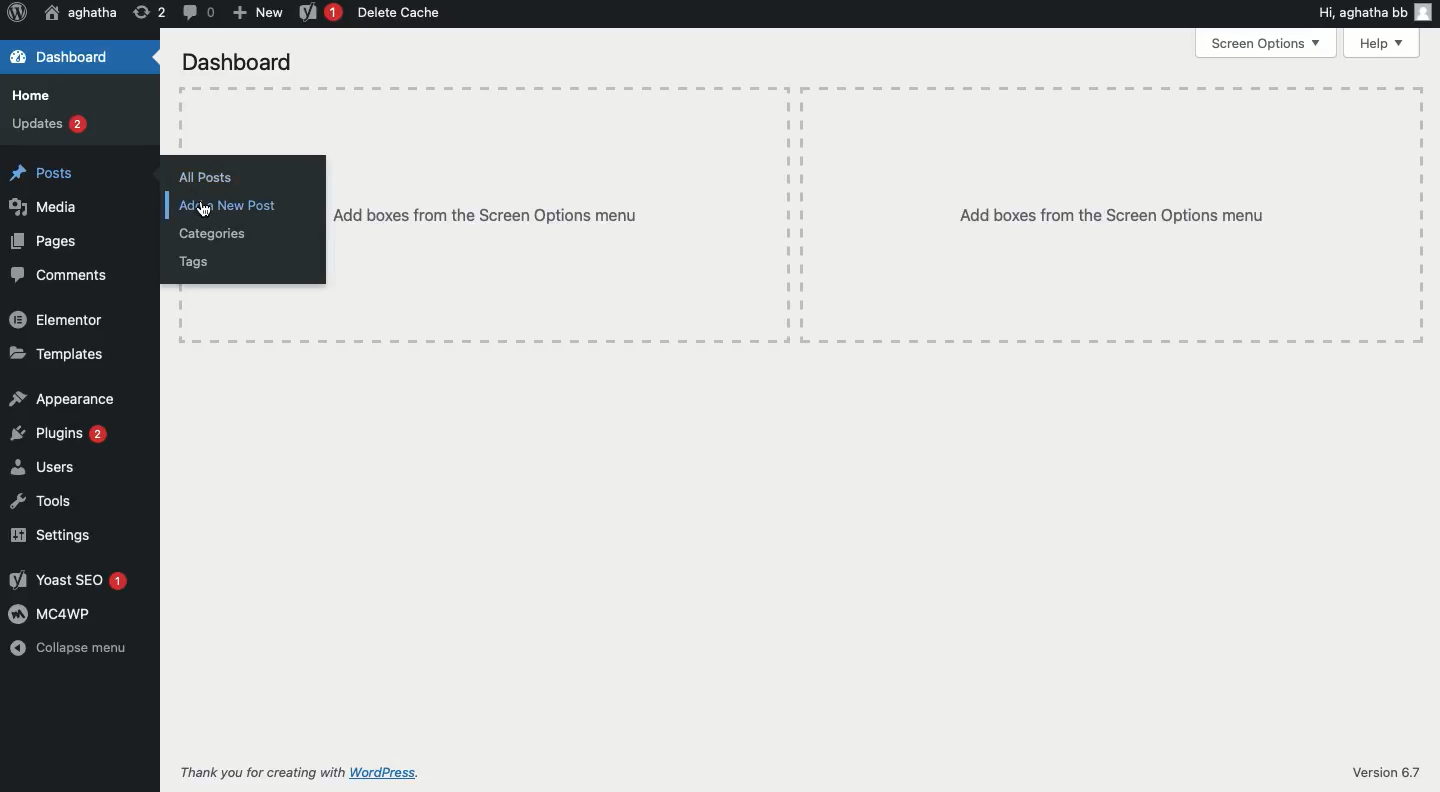 This screenshot has height=792, width=1440. I want to click on Wordpress logo, so click(16, 12).